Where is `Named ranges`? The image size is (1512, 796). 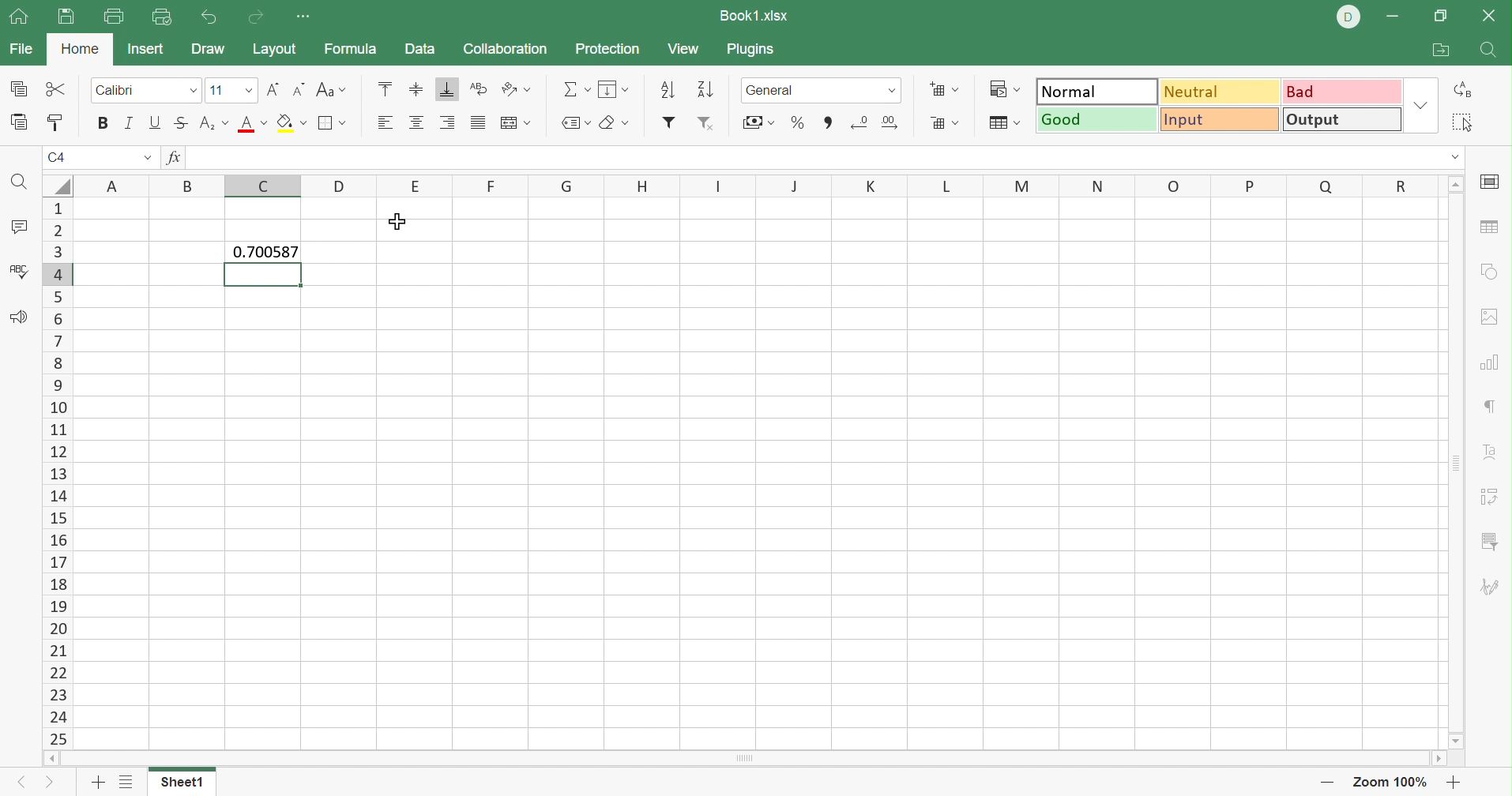 Named ranges is located at coordinates (574, 124).